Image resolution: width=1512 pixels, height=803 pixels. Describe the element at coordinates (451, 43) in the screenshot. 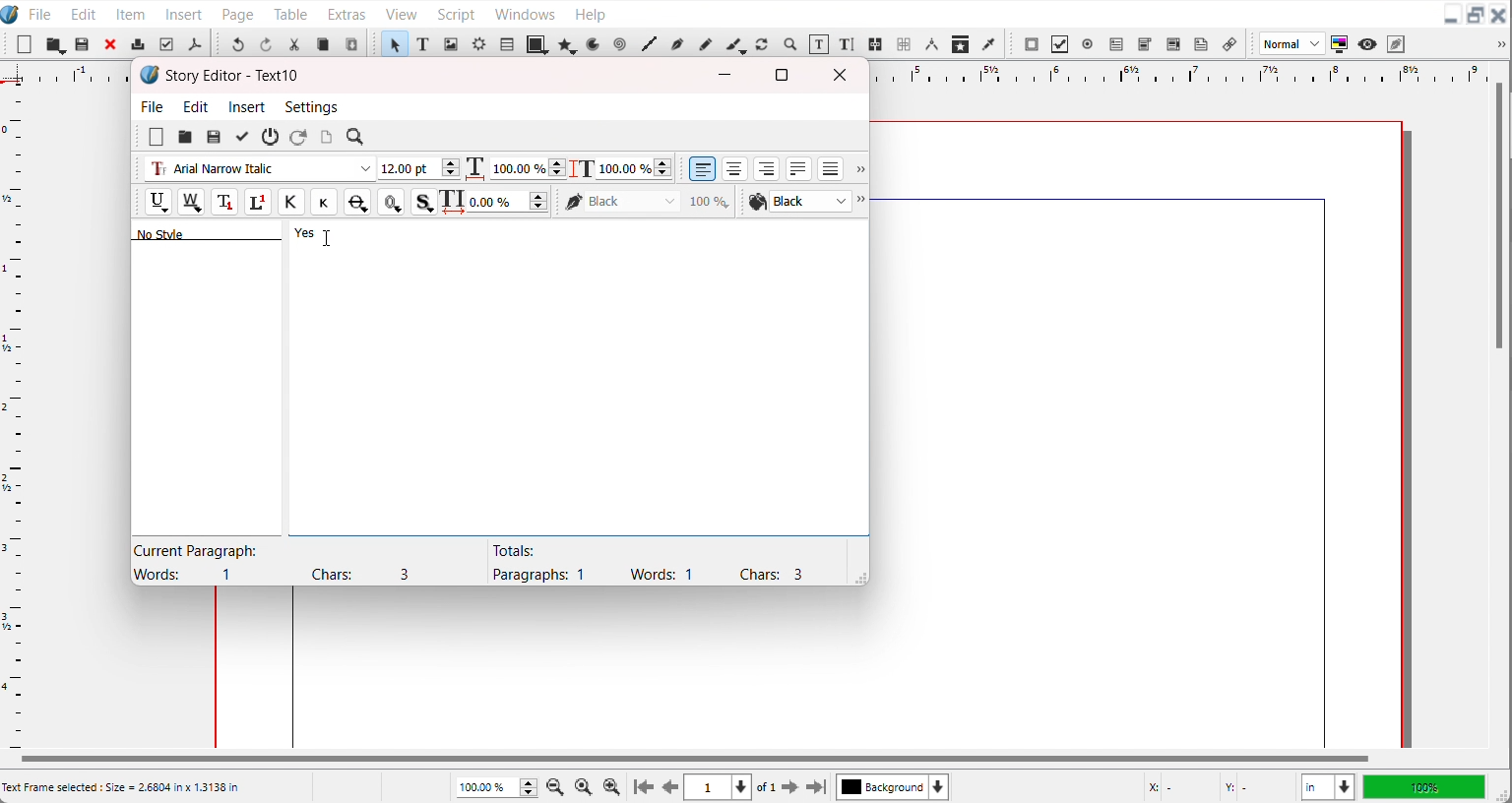

I see `Image Frame` at that location.